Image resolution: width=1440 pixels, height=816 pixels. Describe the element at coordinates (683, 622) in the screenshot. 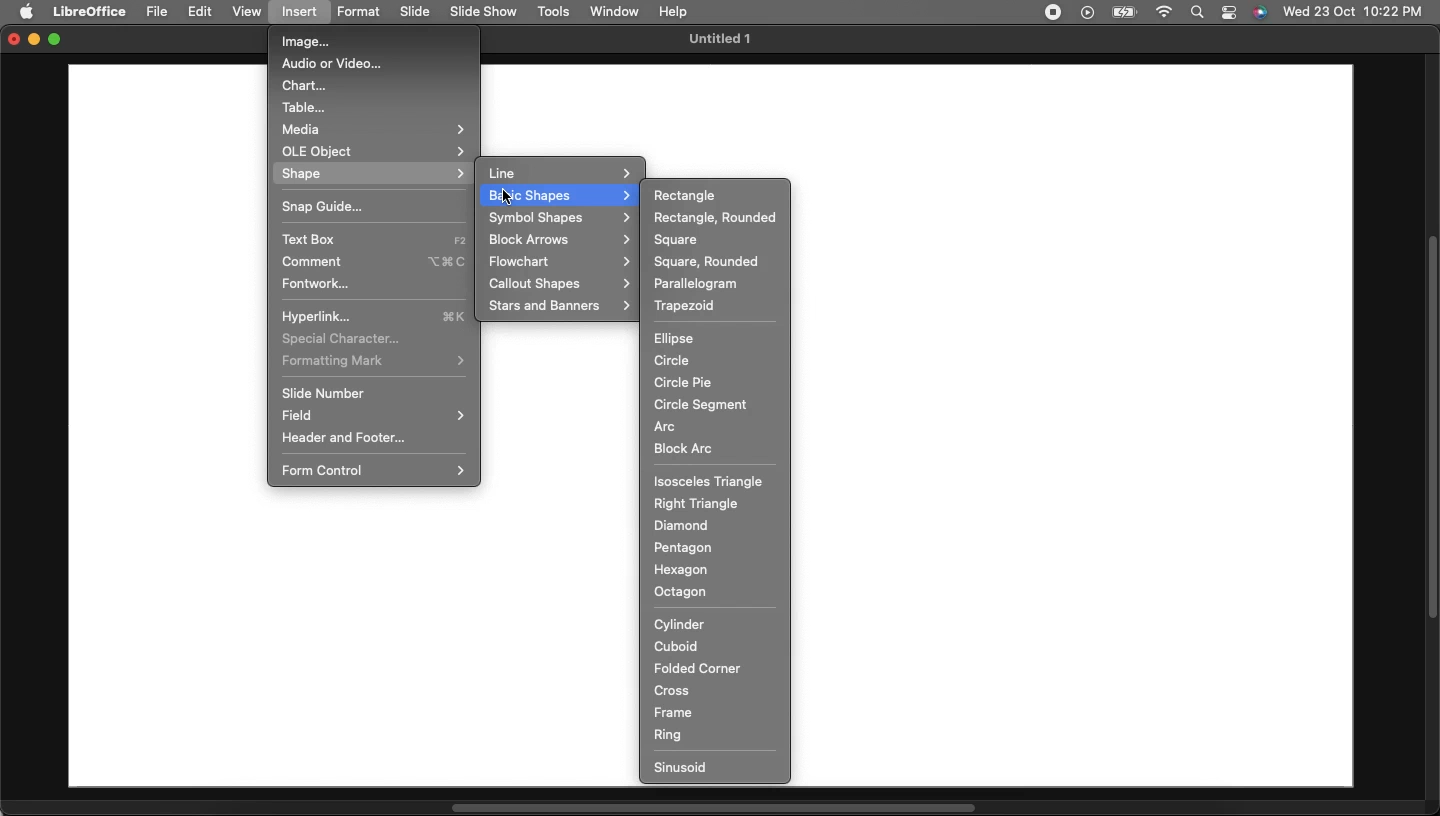

I see `Cylinder` at that location.